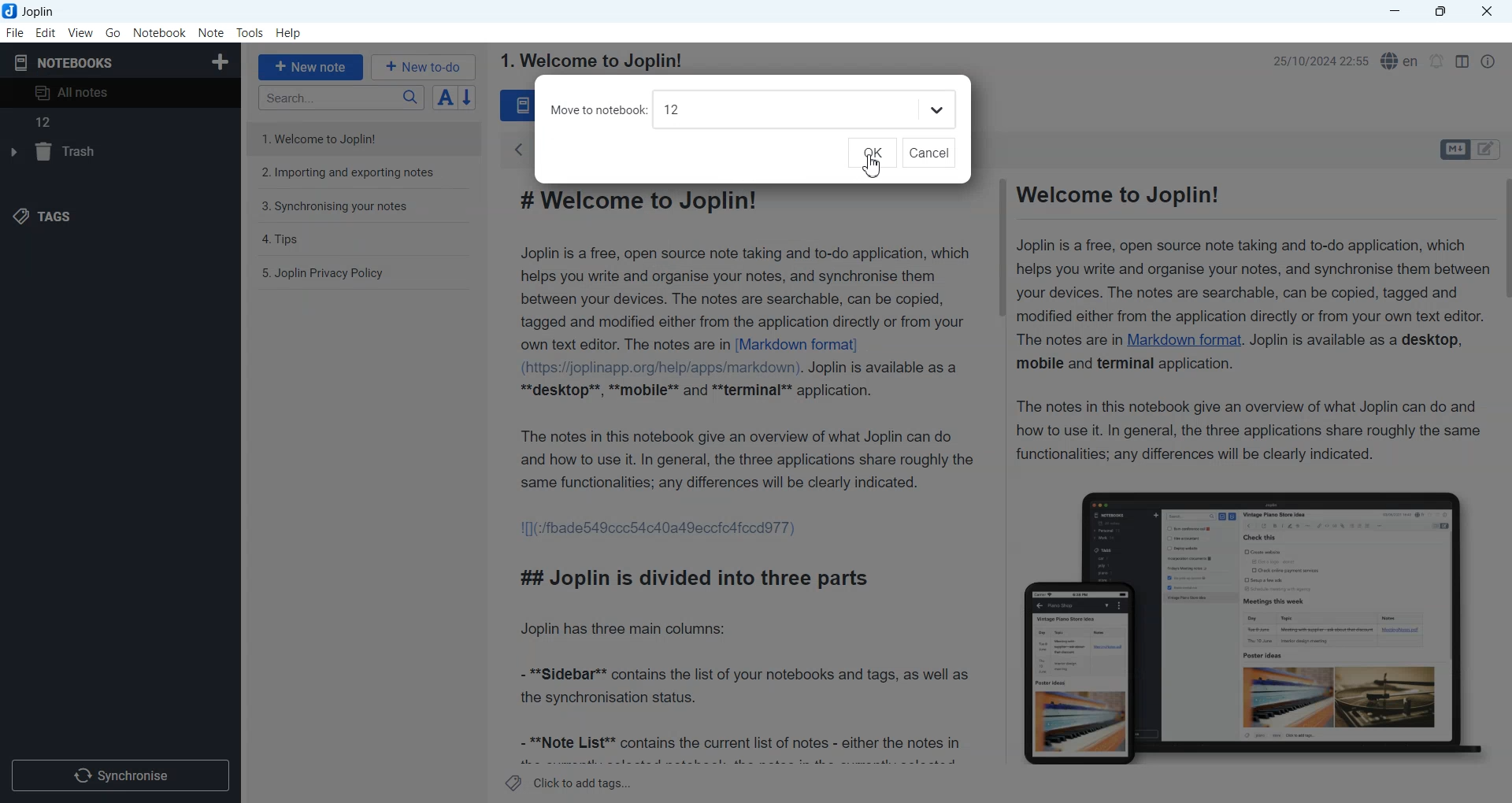  What do you see at coordinates (80, 32) in the screenshot?
I see `View ` at bounding box center [80, 32].